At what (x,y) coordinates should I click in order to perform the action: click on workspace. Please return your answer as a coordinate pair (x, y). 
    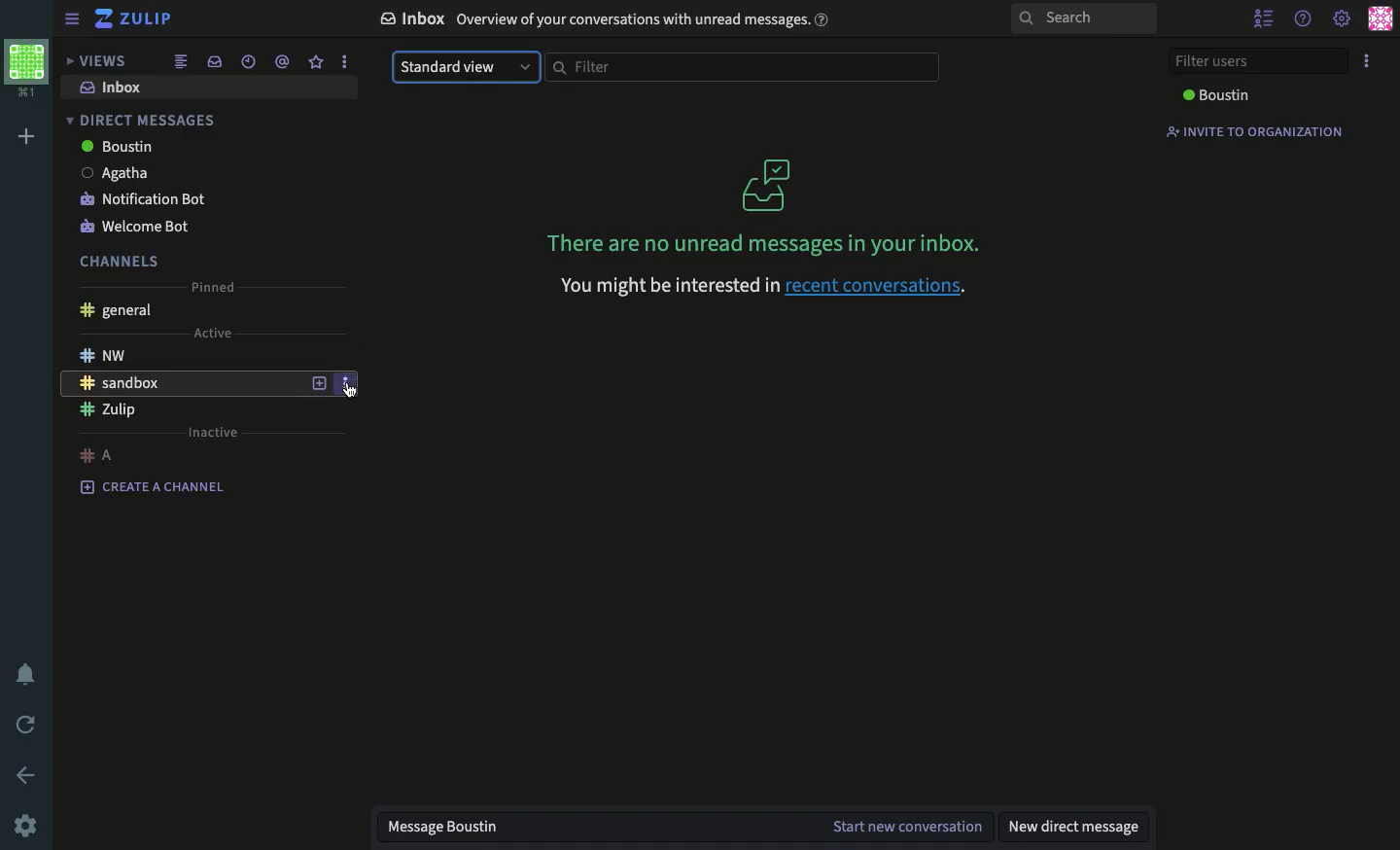
    Looking at the image, I should click on (26, 69).